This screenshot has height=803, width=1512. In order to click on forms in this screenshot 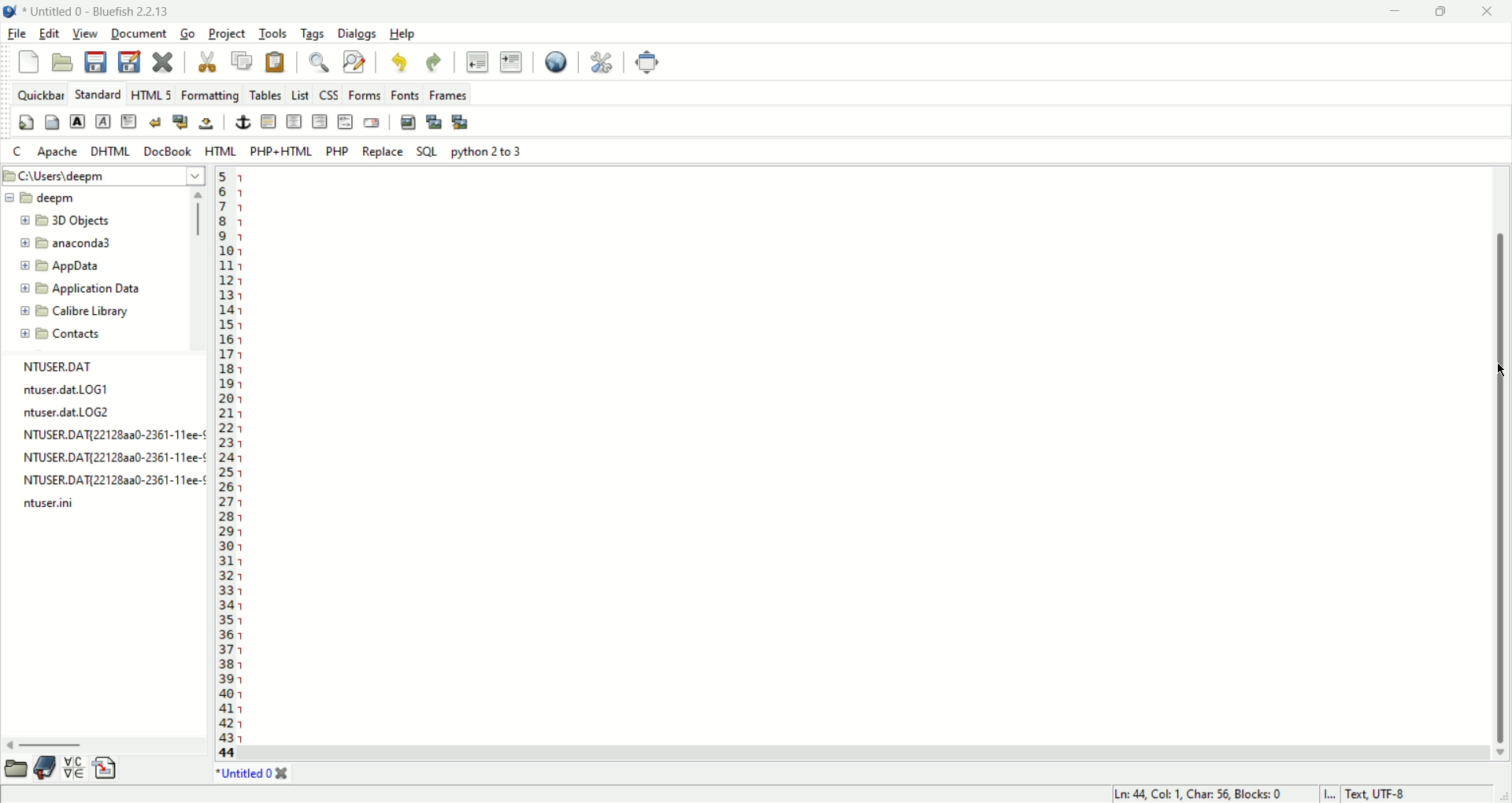, I will do `click(361, 95)`.